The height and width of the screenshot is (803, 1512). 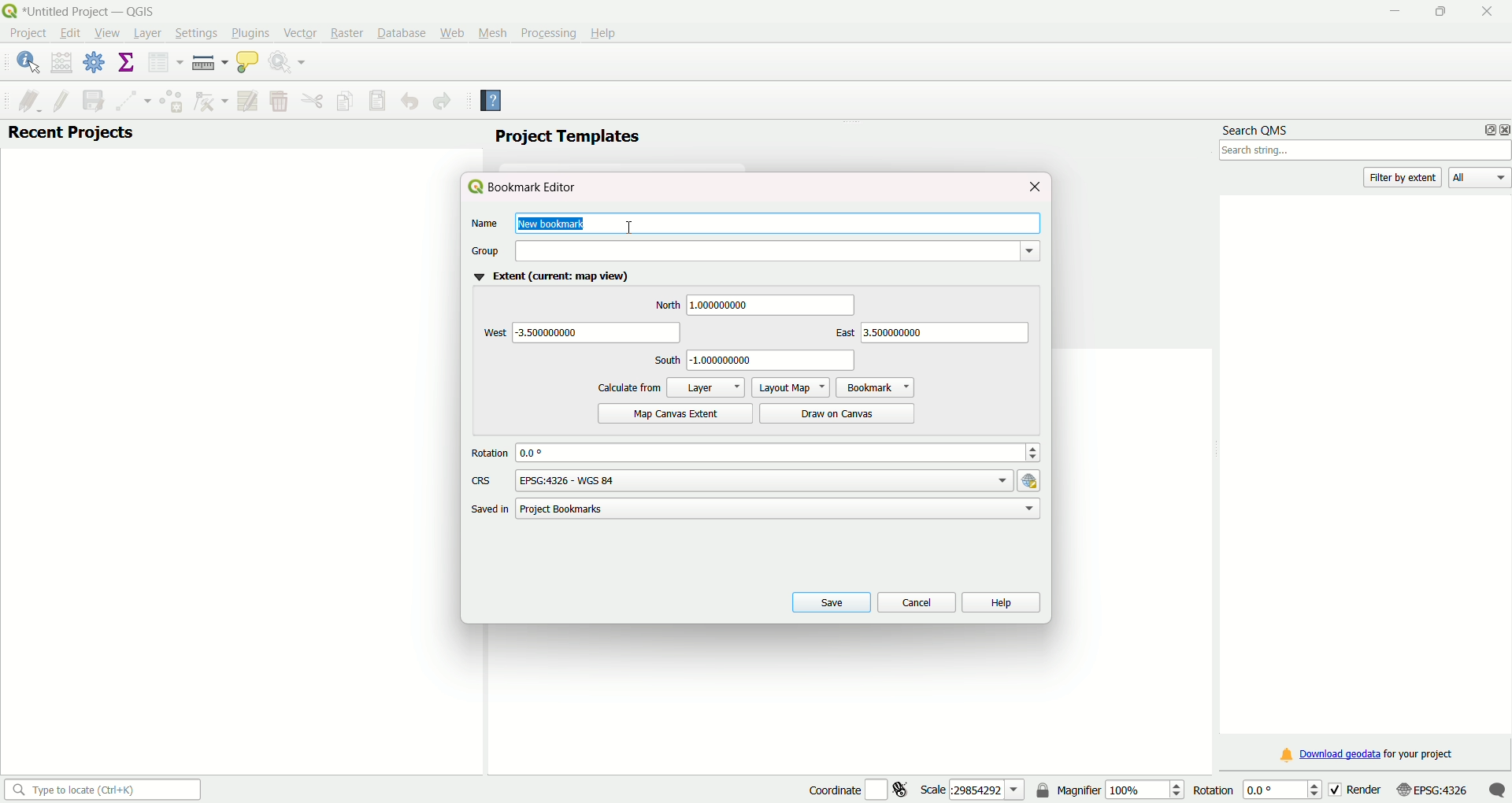 What do you see at coordinates (278, 102) in the screenshot?
I see `delete selected` at bounding box center [278, 102].